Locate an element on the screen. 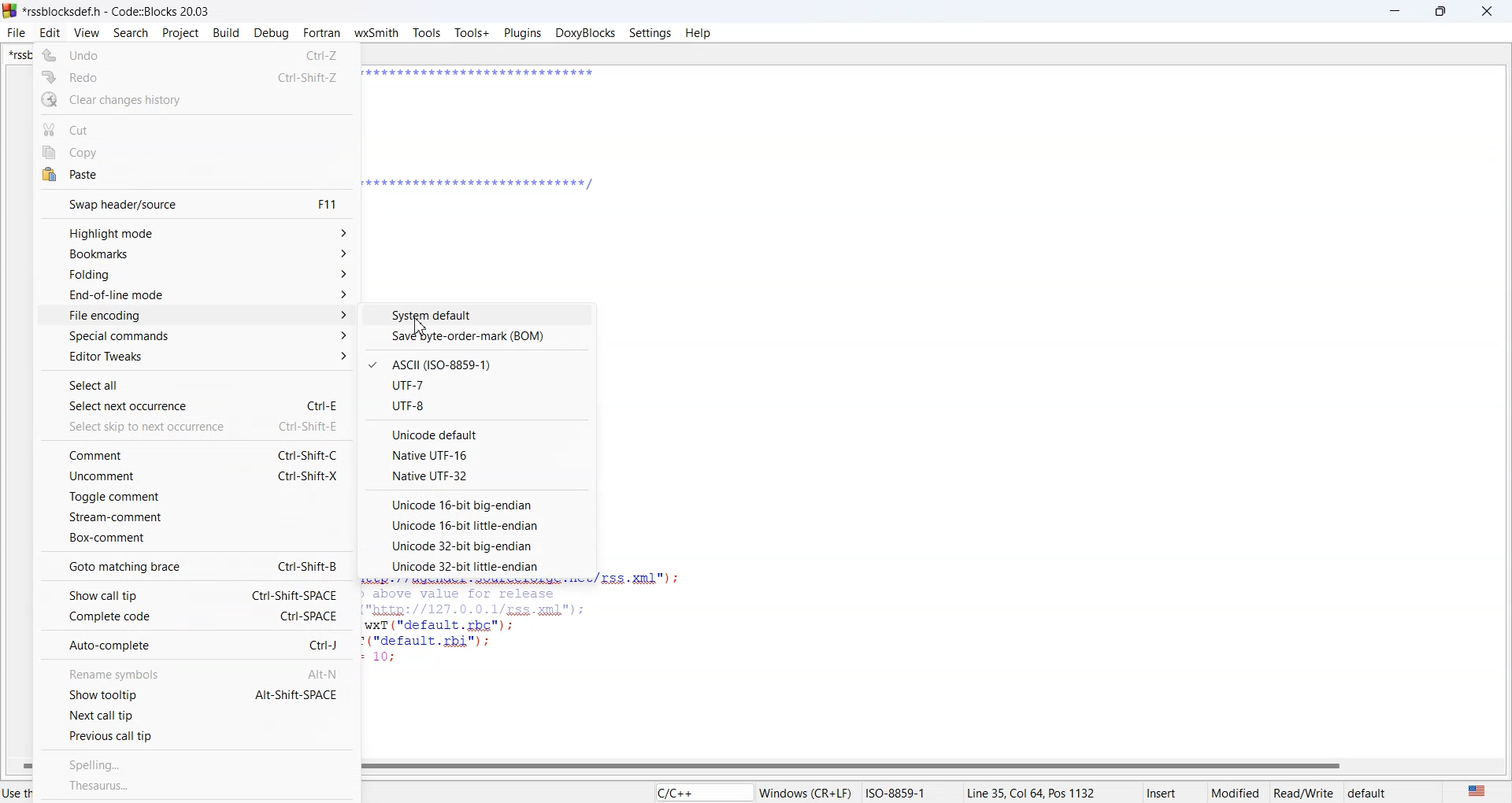 The height and width of the screenshot is (803, 1512). Tools plus is located at coordinates (472, 34).